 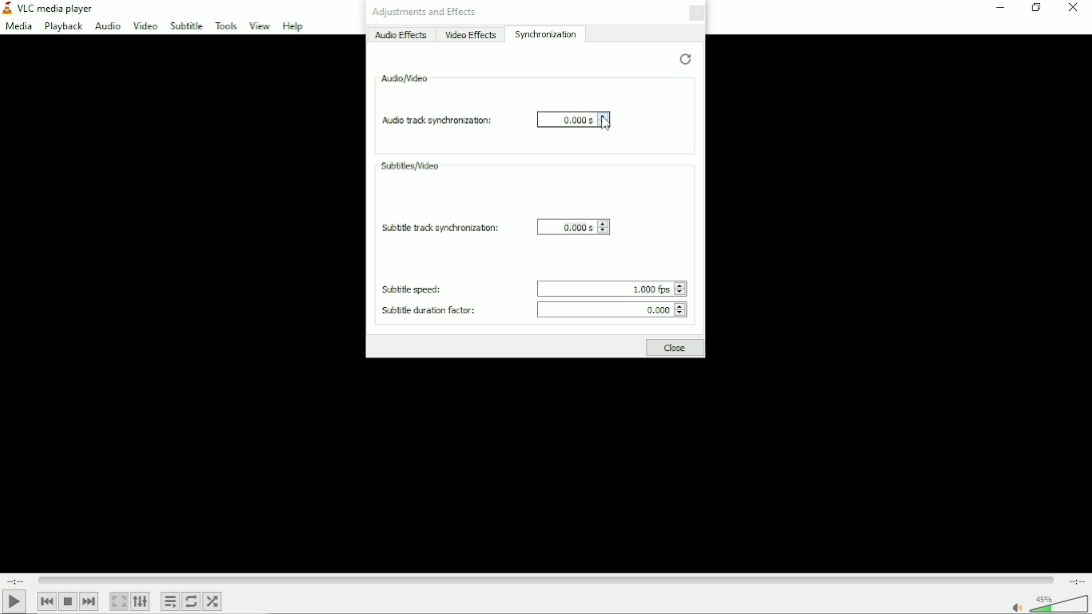 I want to click on Adjustments and effects, so click(x=425, y=12).